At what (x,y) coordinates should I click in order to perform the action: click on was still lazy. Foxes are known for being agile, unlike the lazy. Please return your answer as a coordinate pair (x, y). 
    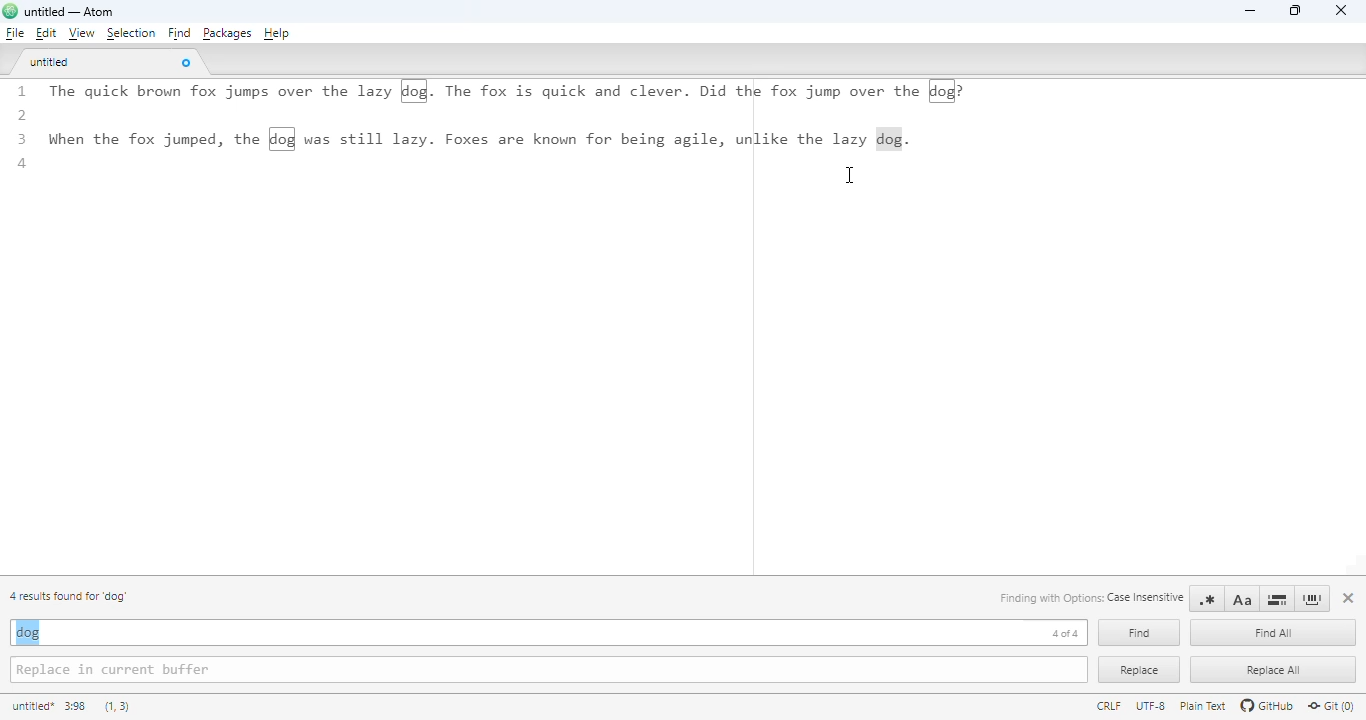
    Looking at the image, I should click on (587, 138).